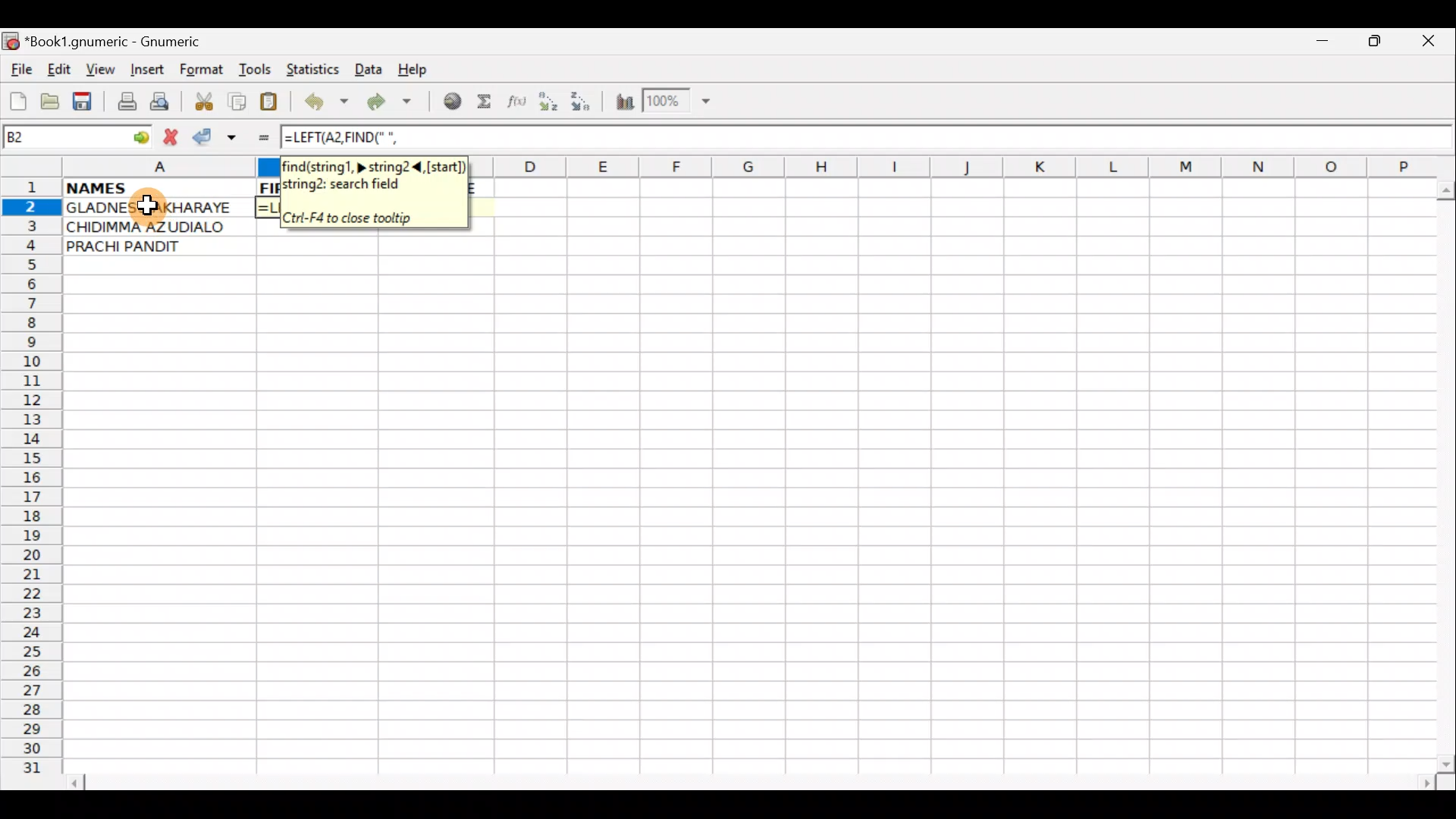  What do you see at coordinates (353, 137) in the screenshot?
I see `=LEFT(A2,FIND(" ",` at bounding box center [353, 137].